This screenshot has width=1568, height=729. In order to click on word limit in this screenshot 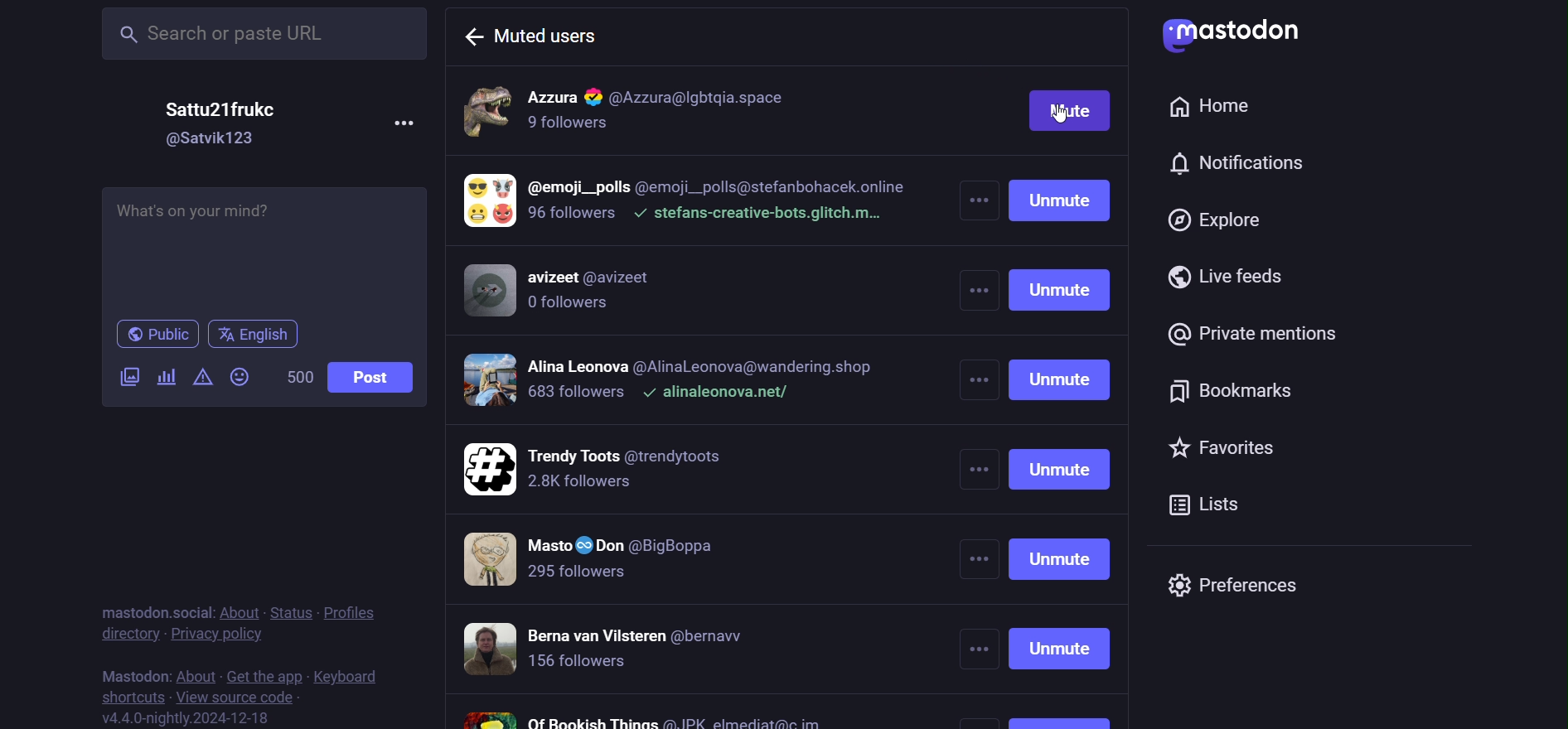, I will do `click(298, 377)`.